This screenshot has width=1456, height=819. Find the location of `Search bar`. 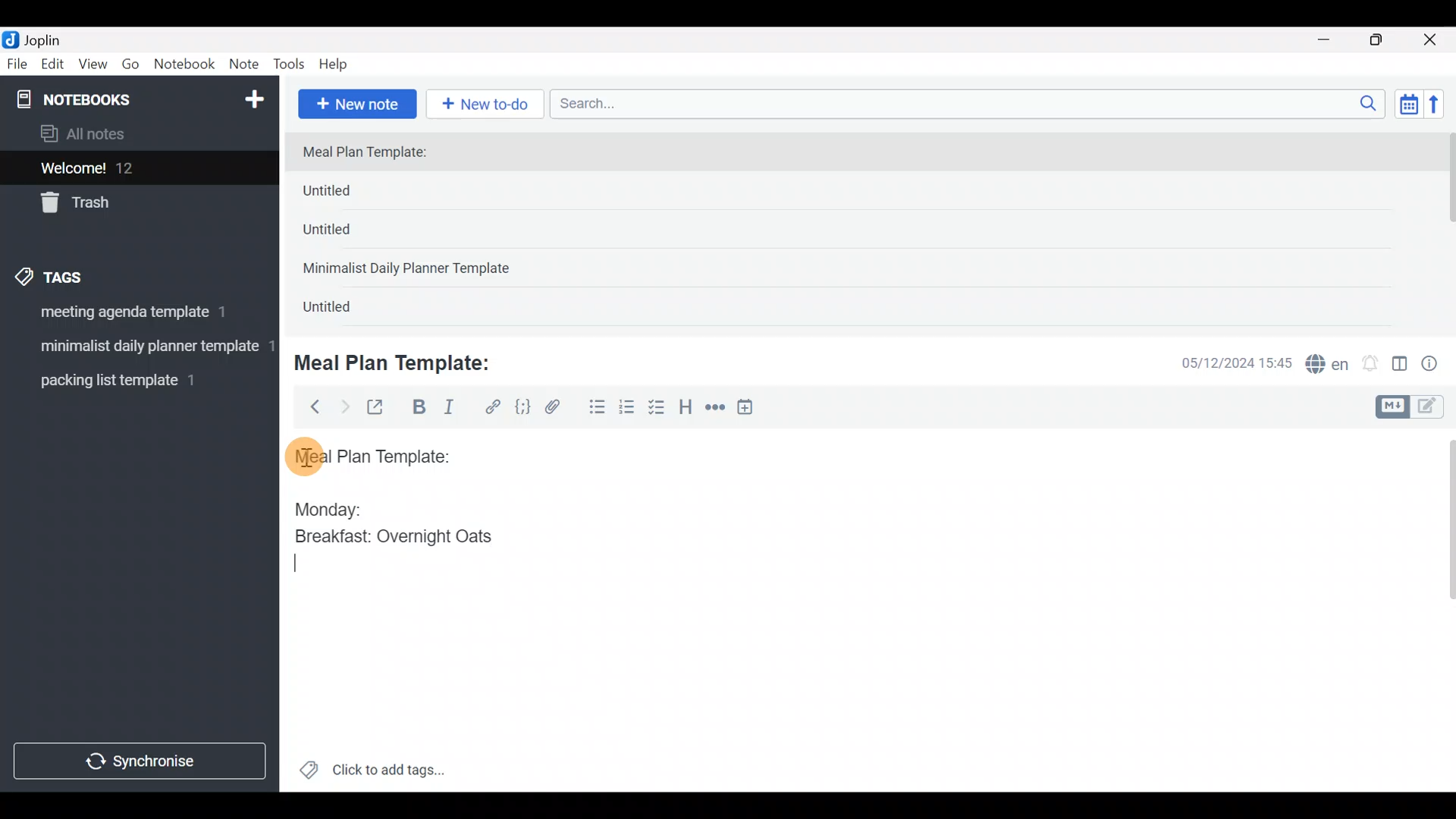

Search bar is located at coordinates (971, 102).